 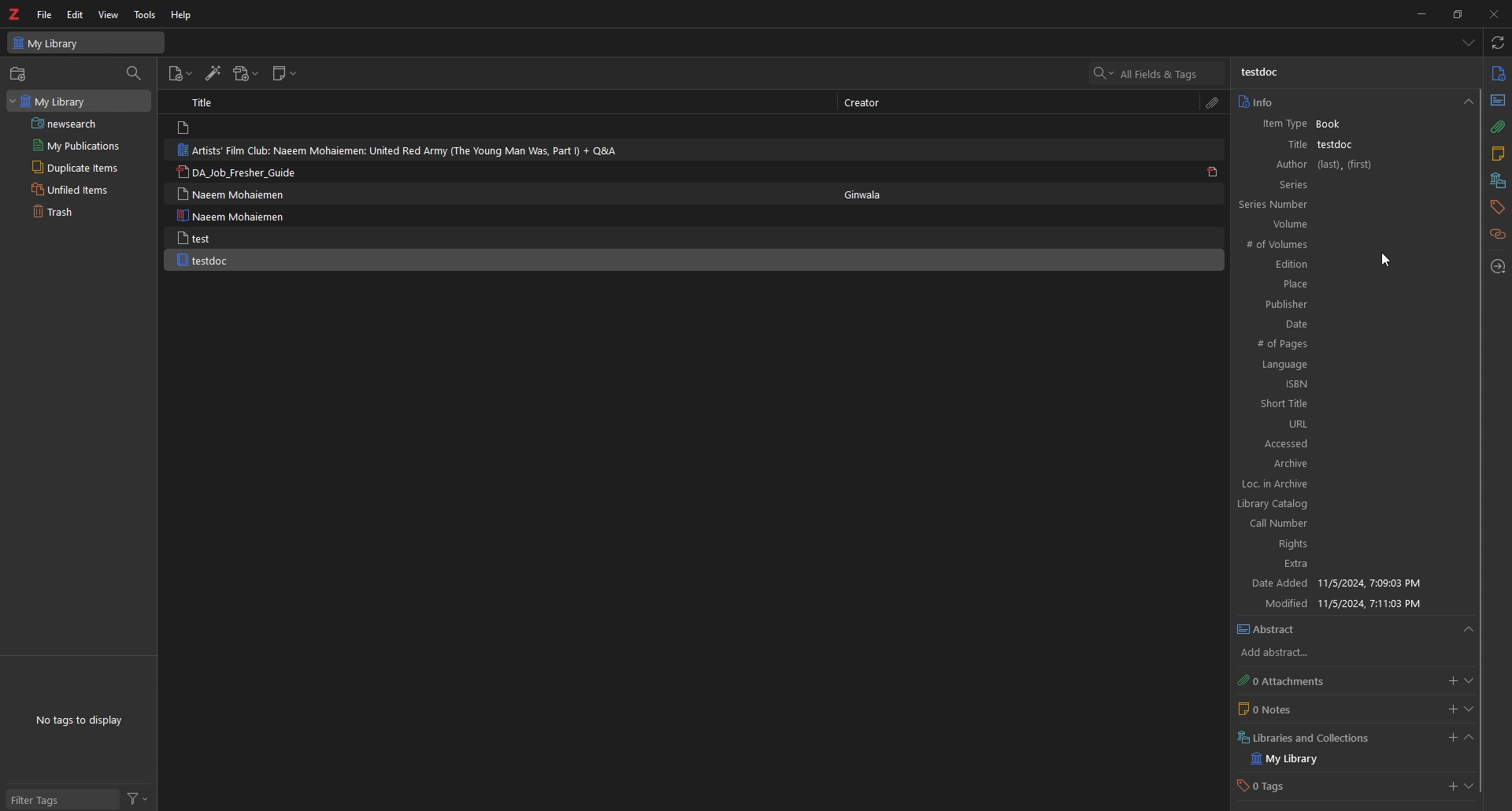 What do you see at coordinates (1280, 680) in the screenshot?
I see `0 Attachments` at bounding box center [1280, 680].